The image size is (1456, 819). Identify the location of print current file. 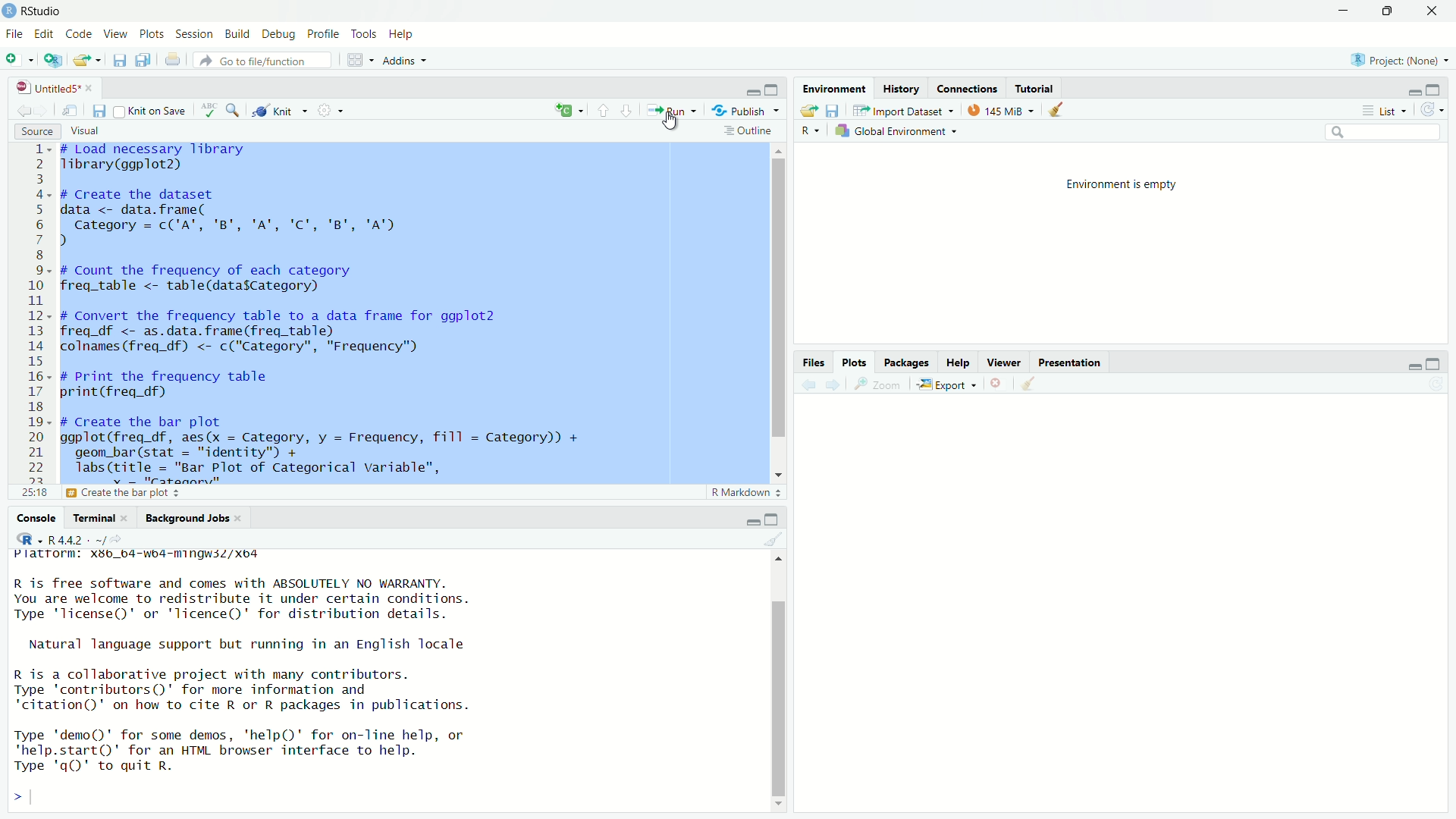
(175, 61).